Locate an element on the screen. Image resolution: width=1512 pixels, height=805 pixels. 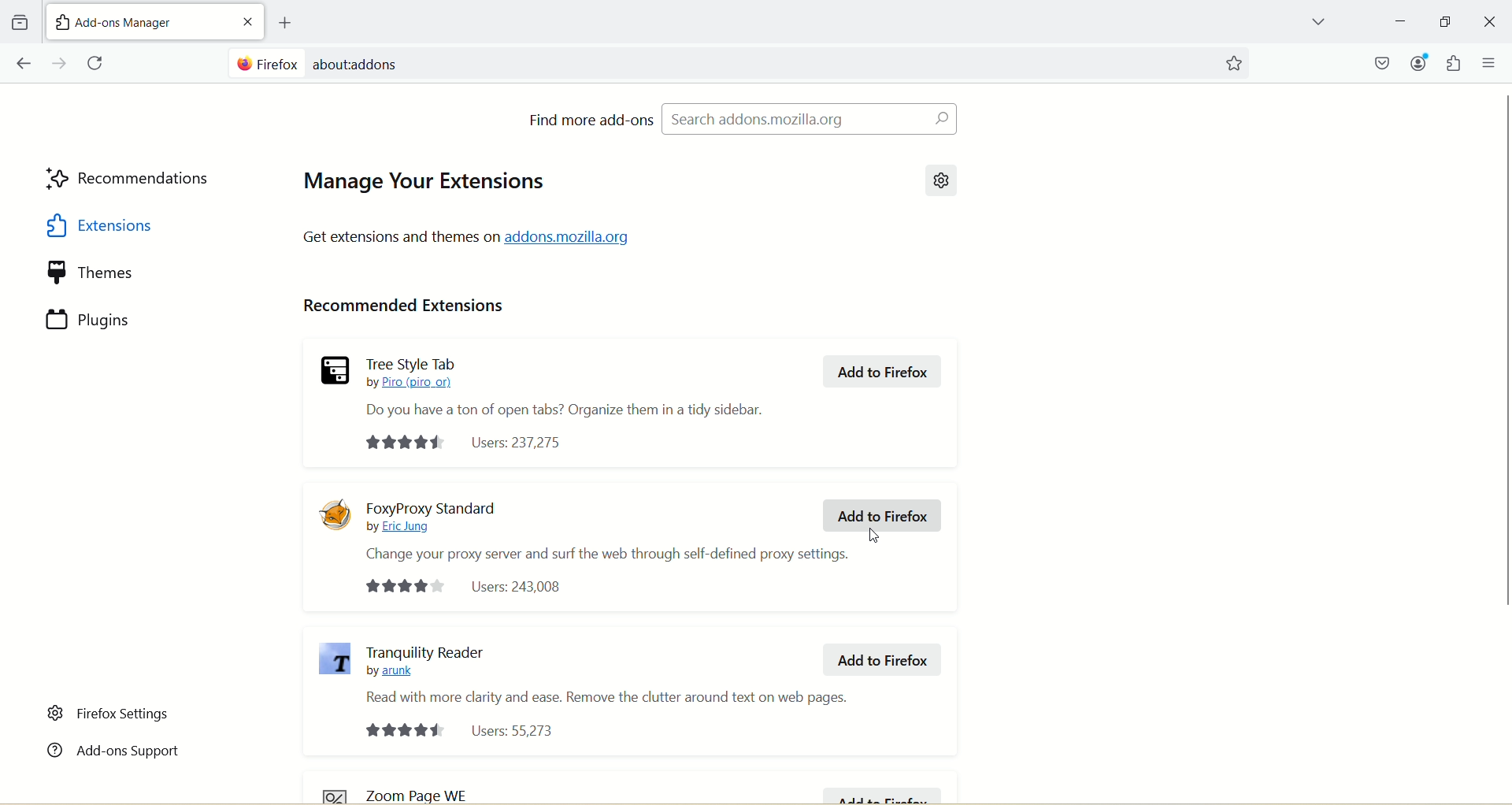
Move Forwards is located at coordinates (61, 63).